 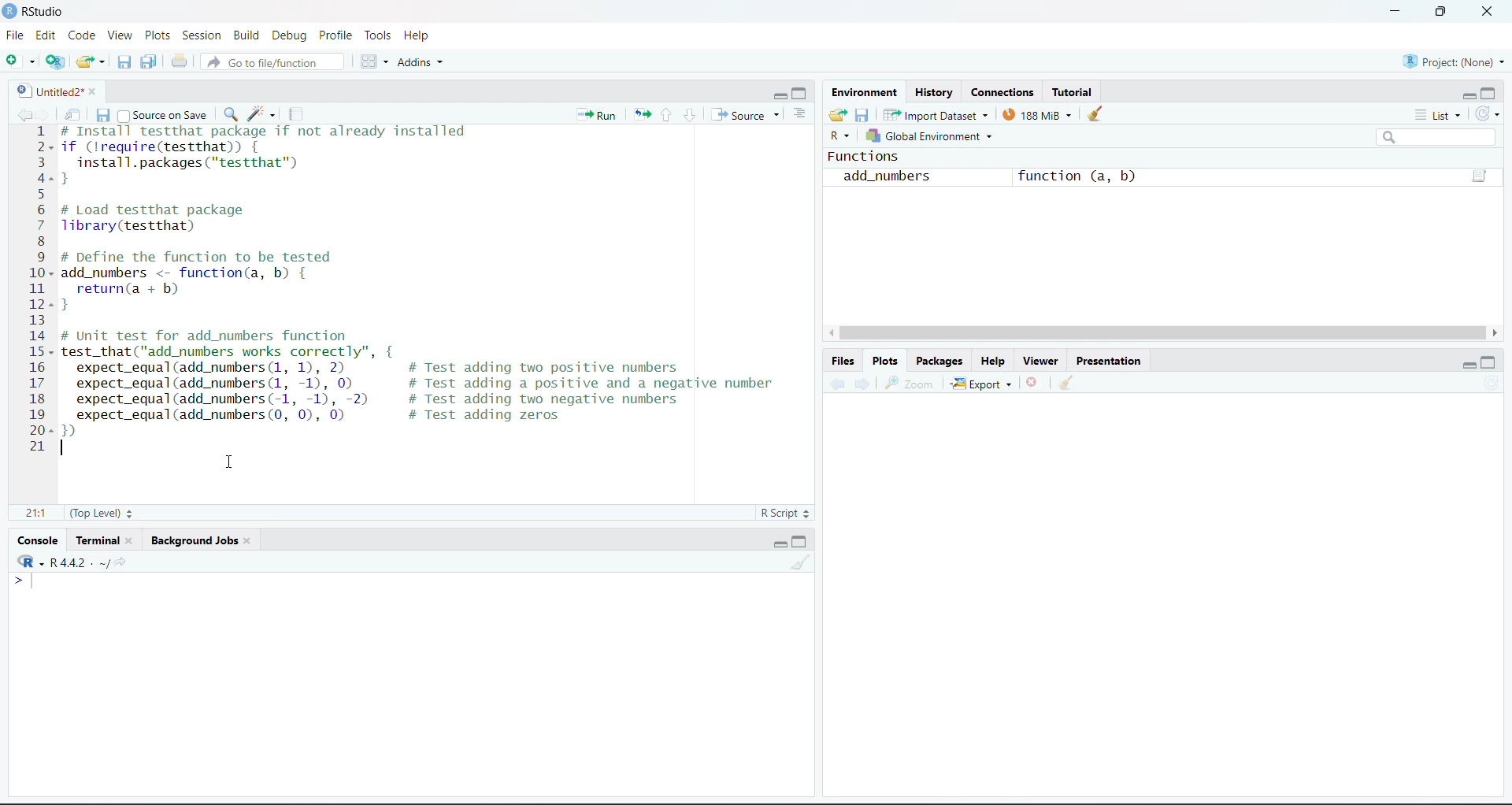 What do you see at coordinates (1490, 93) in the screenshot?
I see `maximize` at bounding box center [1490, 93].